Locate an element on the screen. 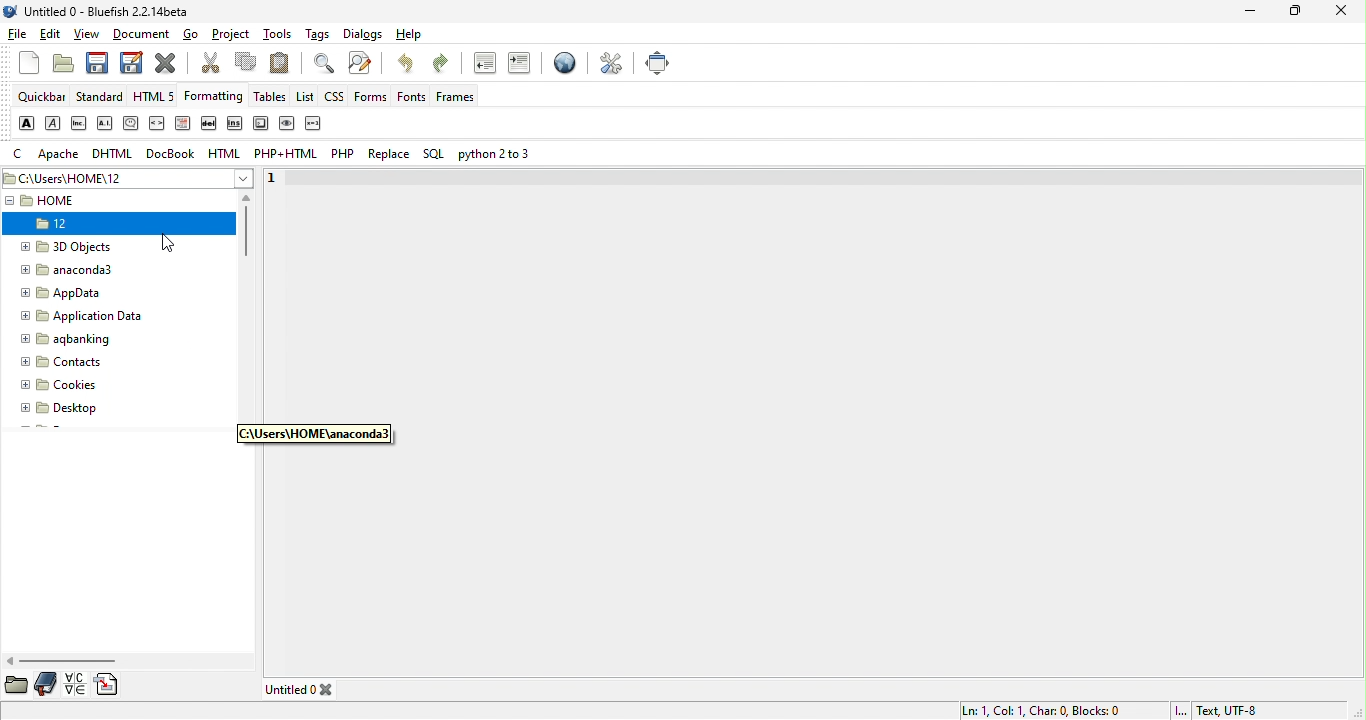  show find bar is located at coordinates (324, 65).